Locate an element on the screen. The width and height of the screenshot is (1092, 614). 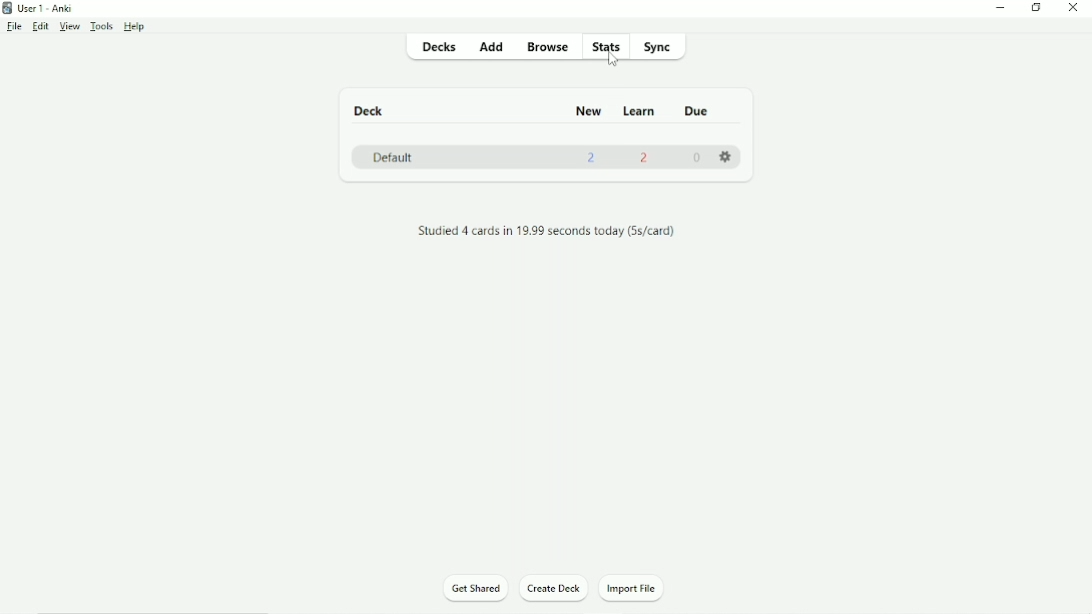
Due is located at coordinates (699, 111).